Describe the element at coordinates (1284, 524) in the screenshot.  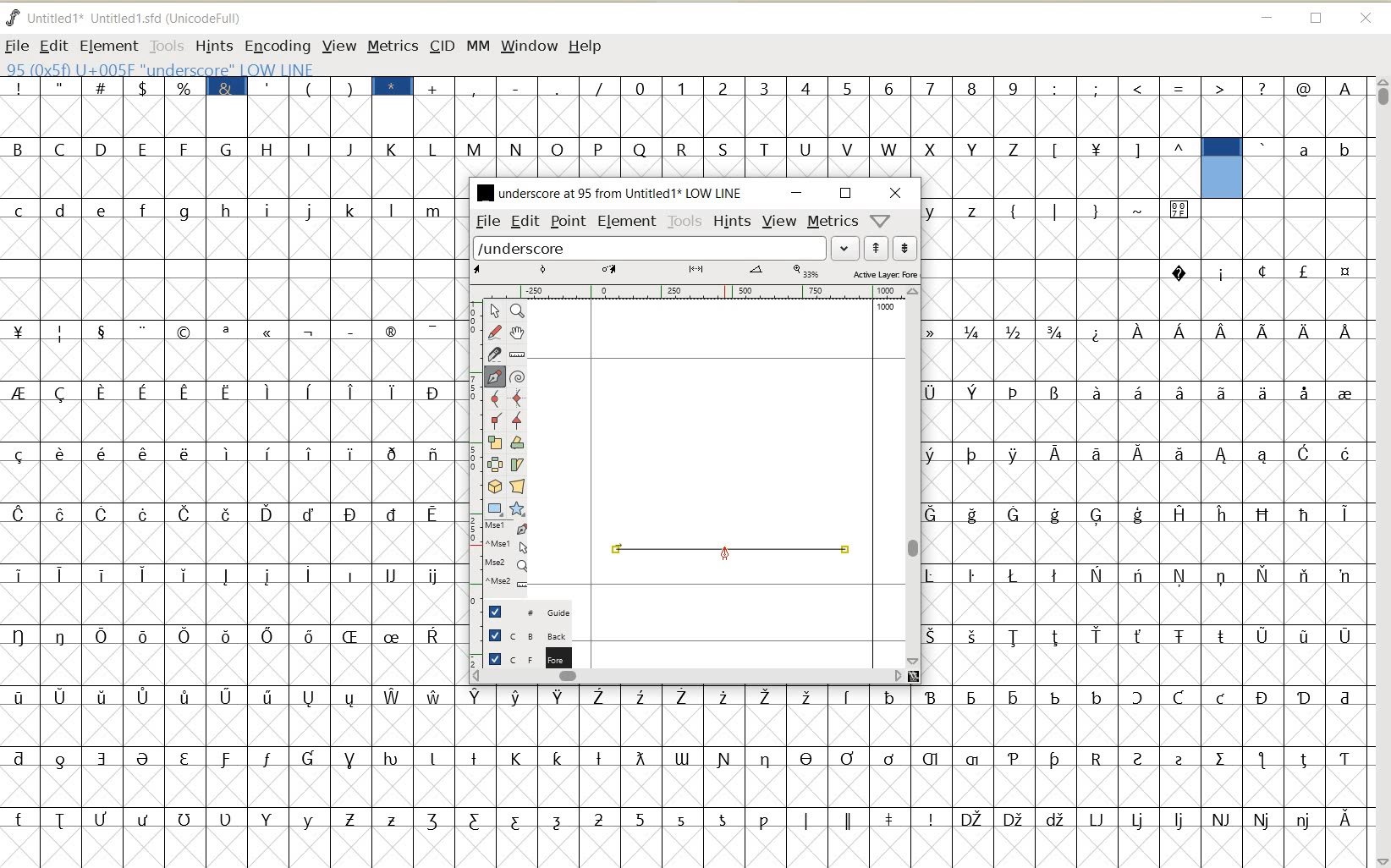
I see `GLYPHY CHARACTERS` at that location.